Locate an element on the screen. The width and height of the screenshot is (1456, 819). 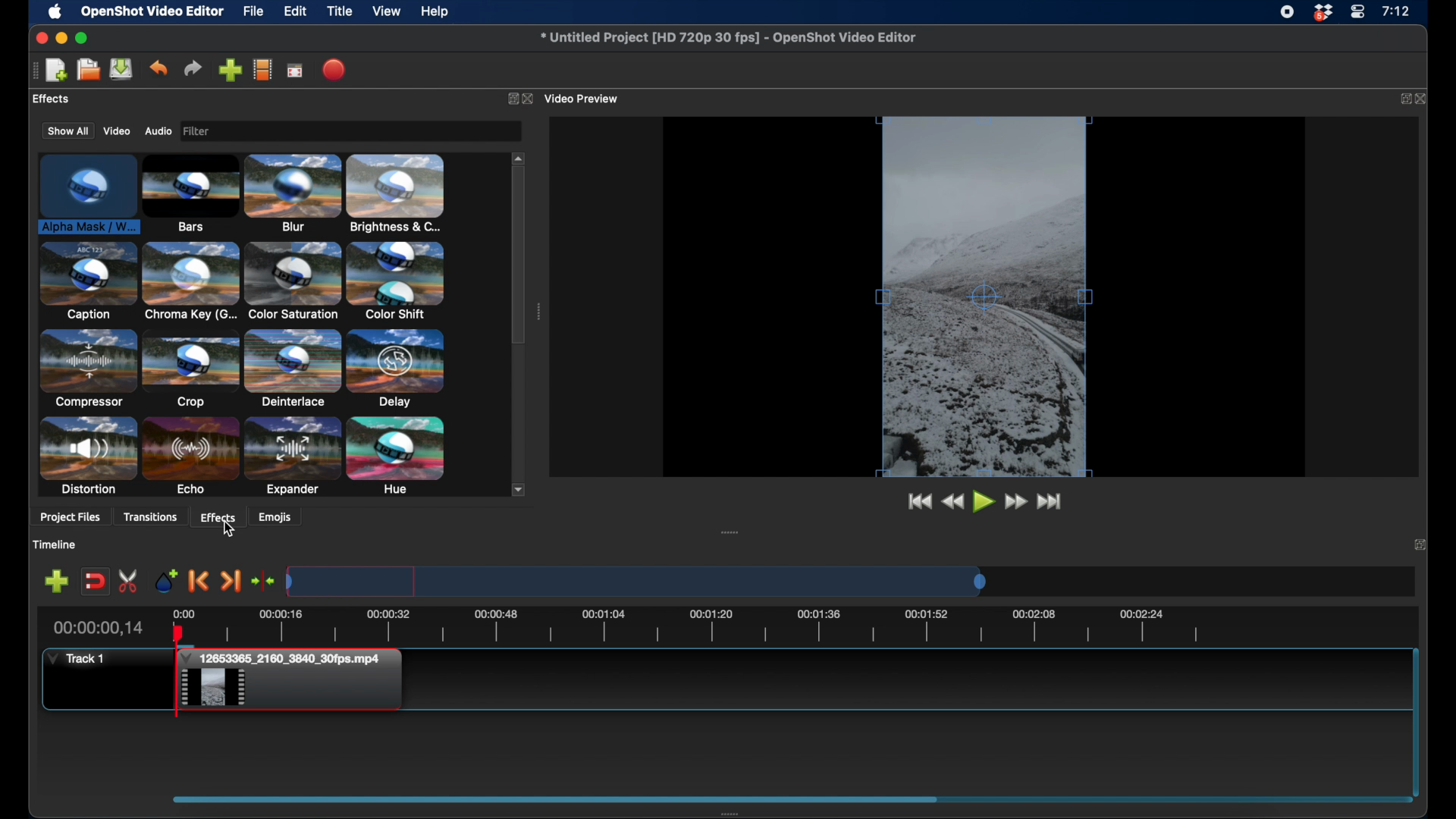
add track is located at coordinates (58, 580).